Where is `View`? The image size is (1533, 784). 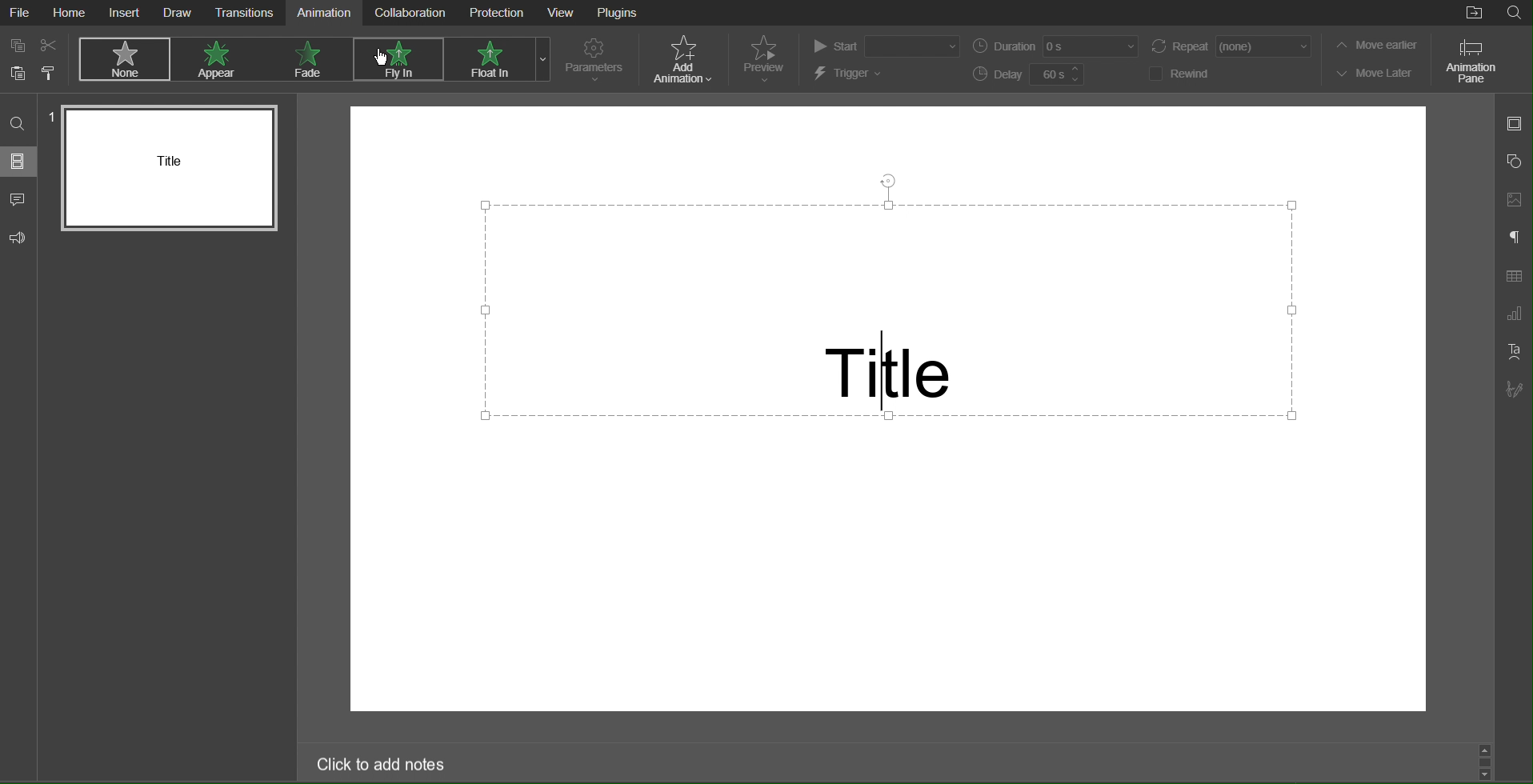 View is located at coordinates (562, 13).